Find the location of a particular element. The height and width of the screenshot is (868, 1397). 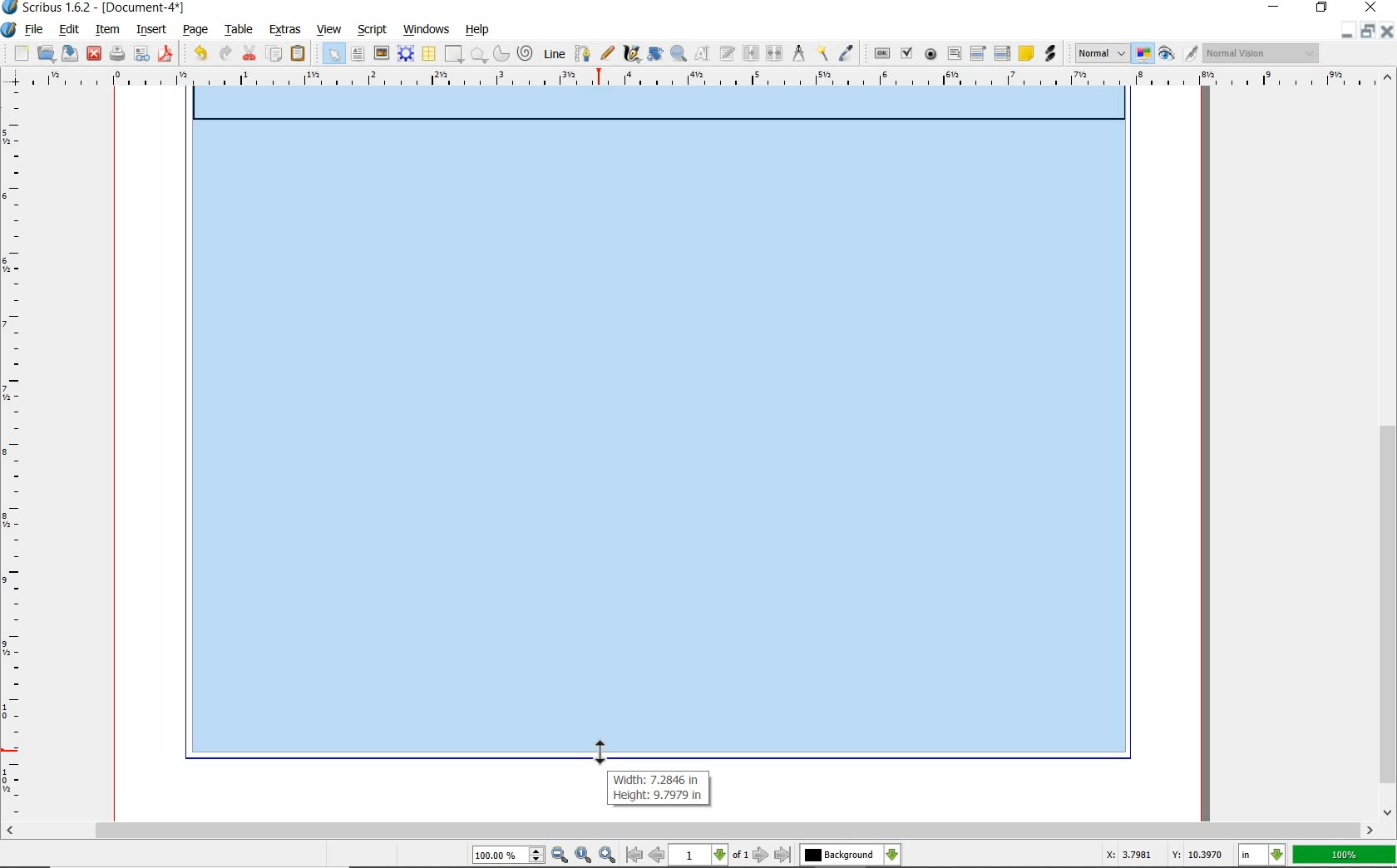

edit contents of frame is located at coordinates (701, 53).